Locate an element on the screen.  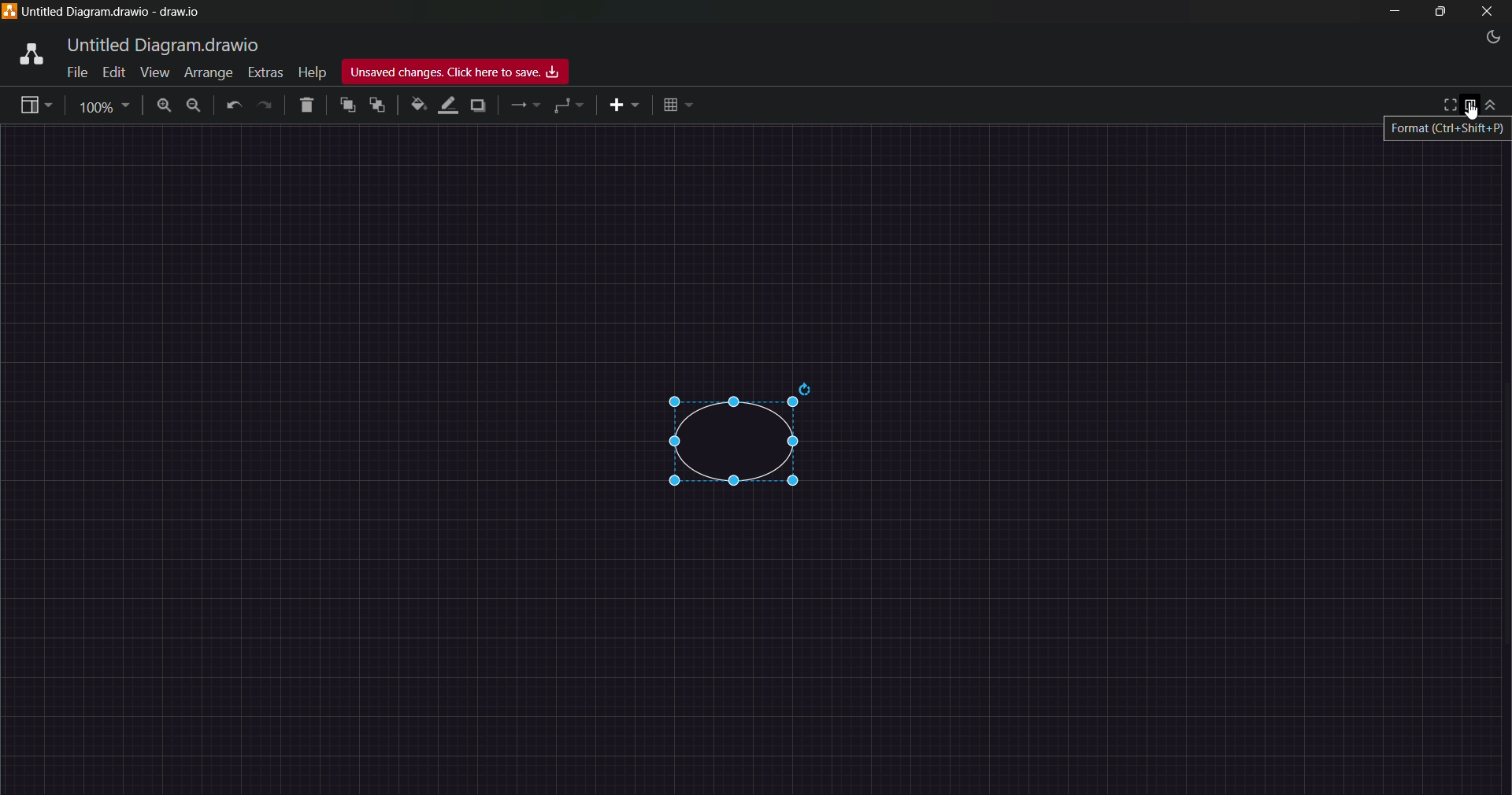
extras is located at coordinates (265, 71).